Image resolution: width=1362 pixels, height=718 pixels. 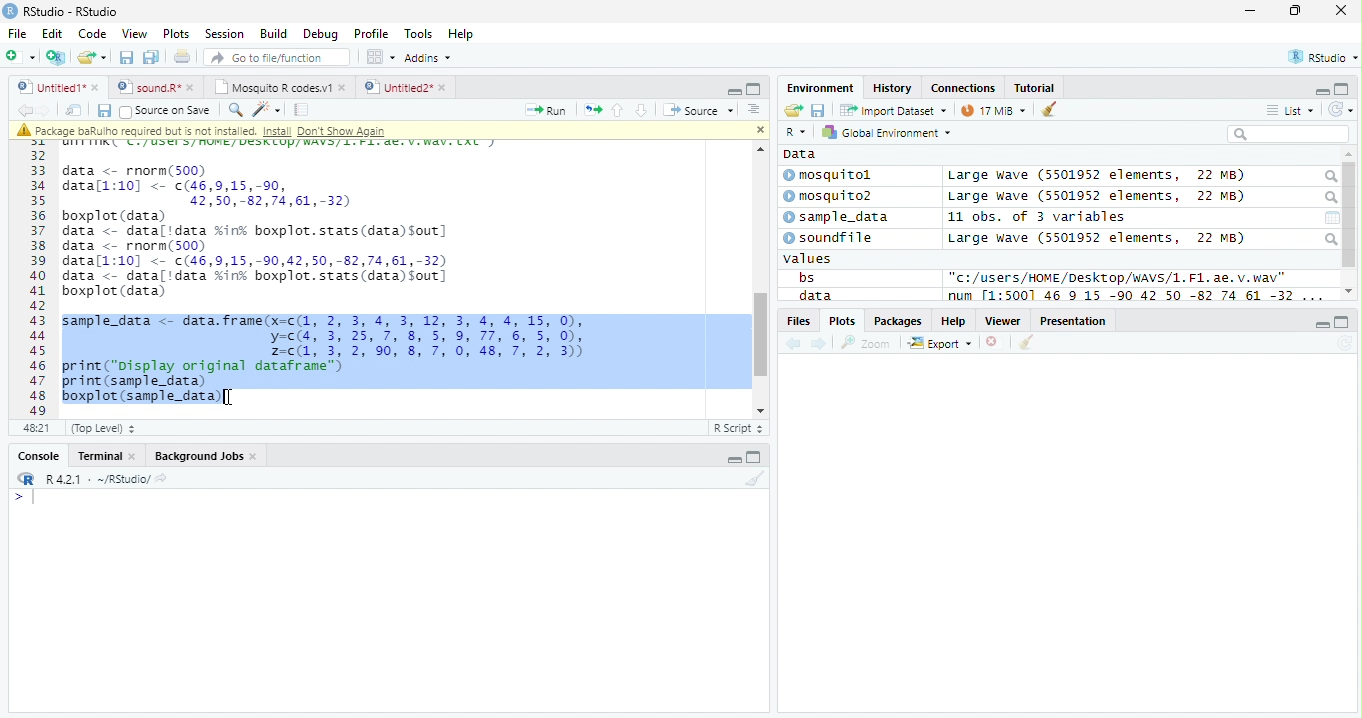 I want to click on minimize, so click(x=734, y=90).